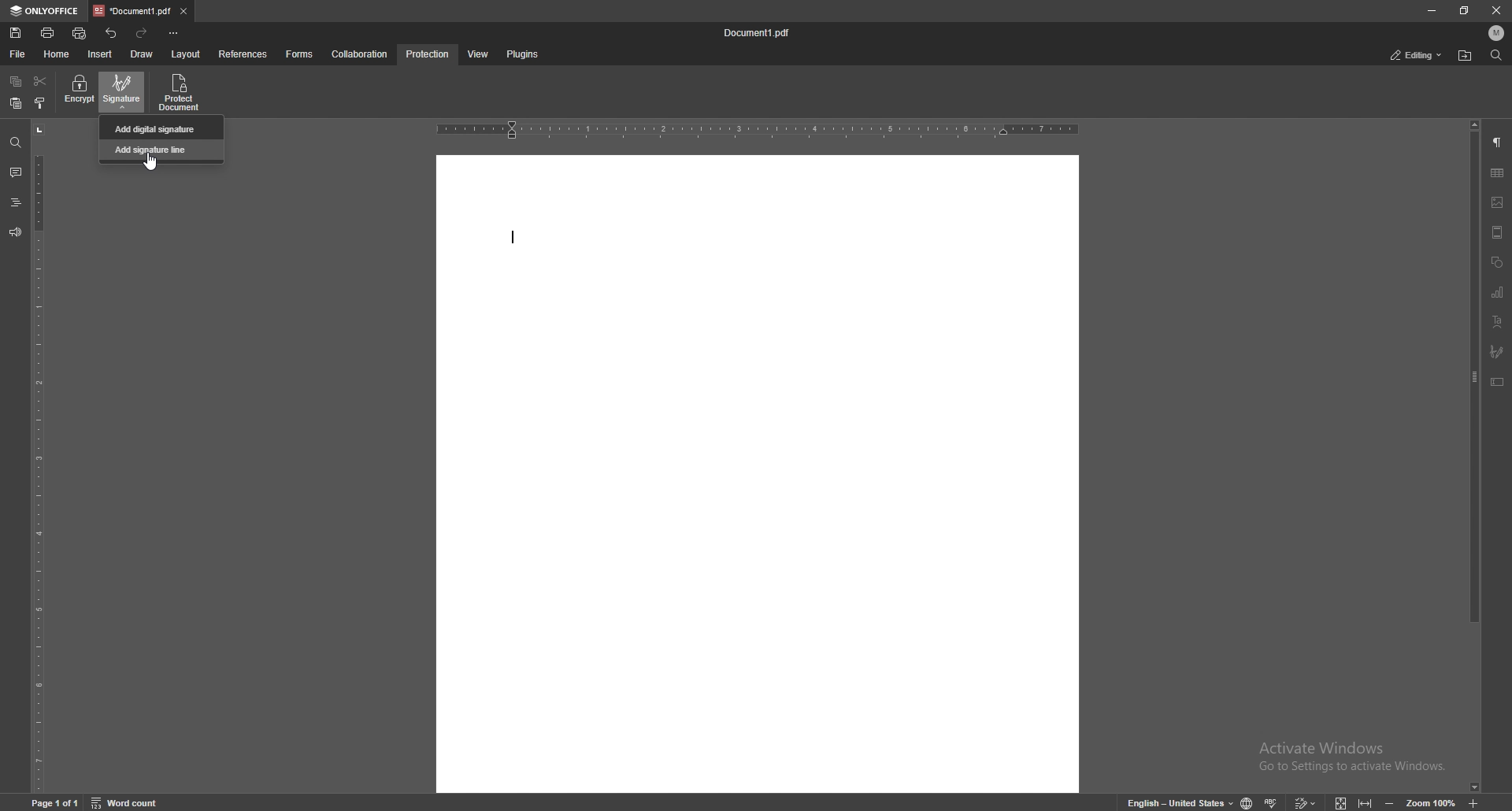 This screenshot has width=1512, height=811. What do you see at coordinates (1498, 202) in the screenshot?
I see `image` at bounding box center [1498, 202].